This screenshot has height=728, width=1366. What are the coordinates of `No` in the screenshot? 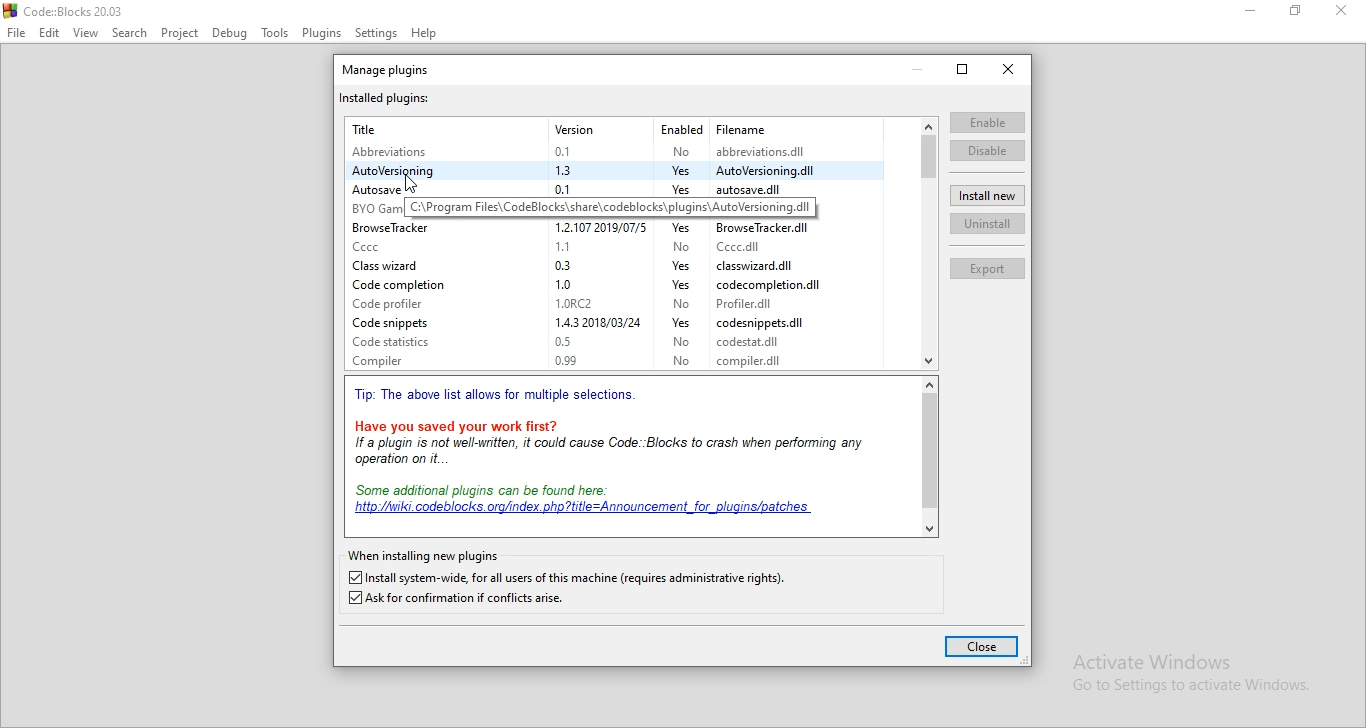 It's located at (682, 305).